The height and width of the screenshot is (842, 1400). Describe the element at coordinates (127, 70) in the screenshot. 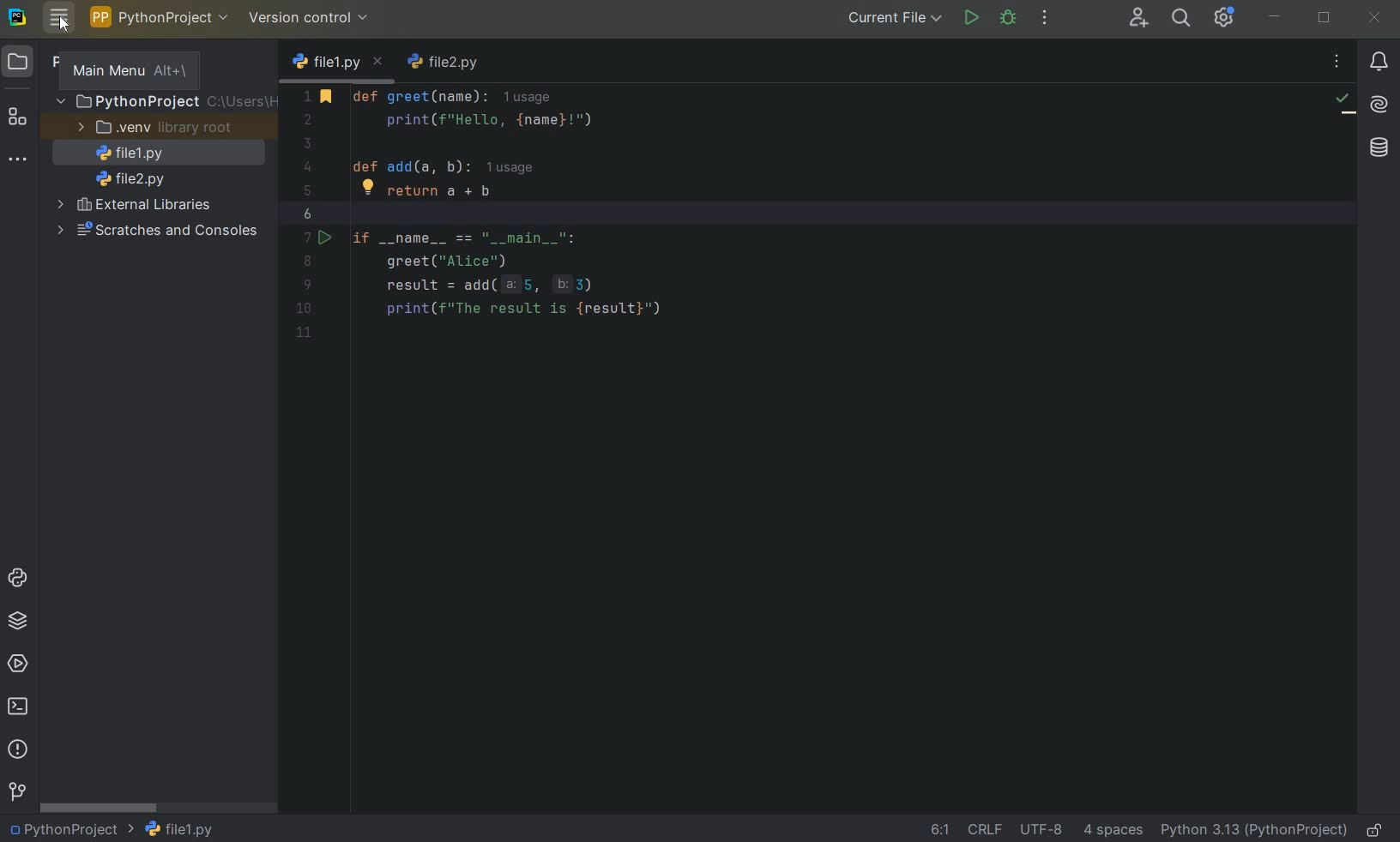

I see `Main menu` at that location.